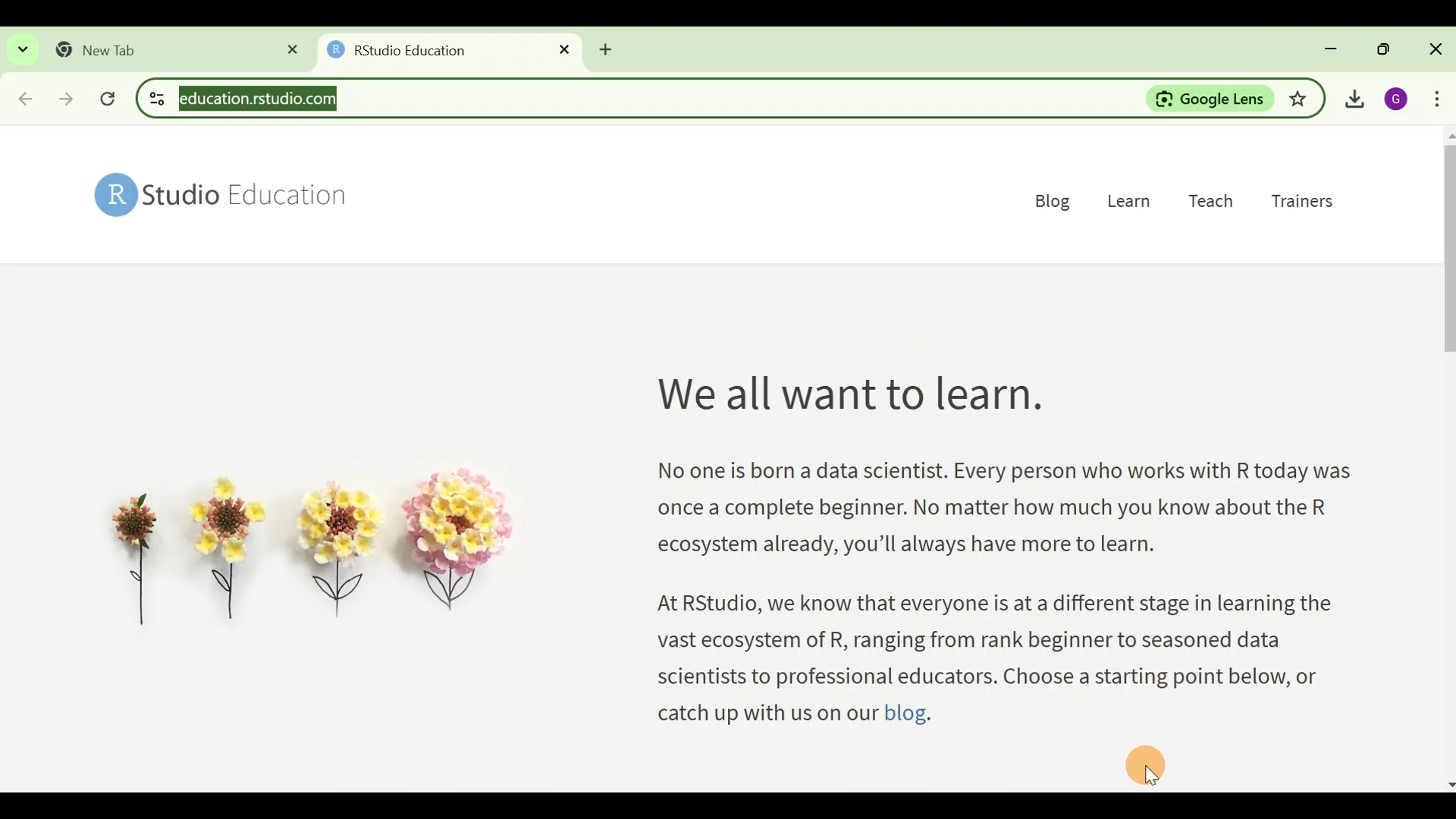 The height and width of the screenshot is (819, 1456). What do you see at coordinates (1332, 47) in the screenshot?
I see `Minimize` at bounding box center [1332, 47].